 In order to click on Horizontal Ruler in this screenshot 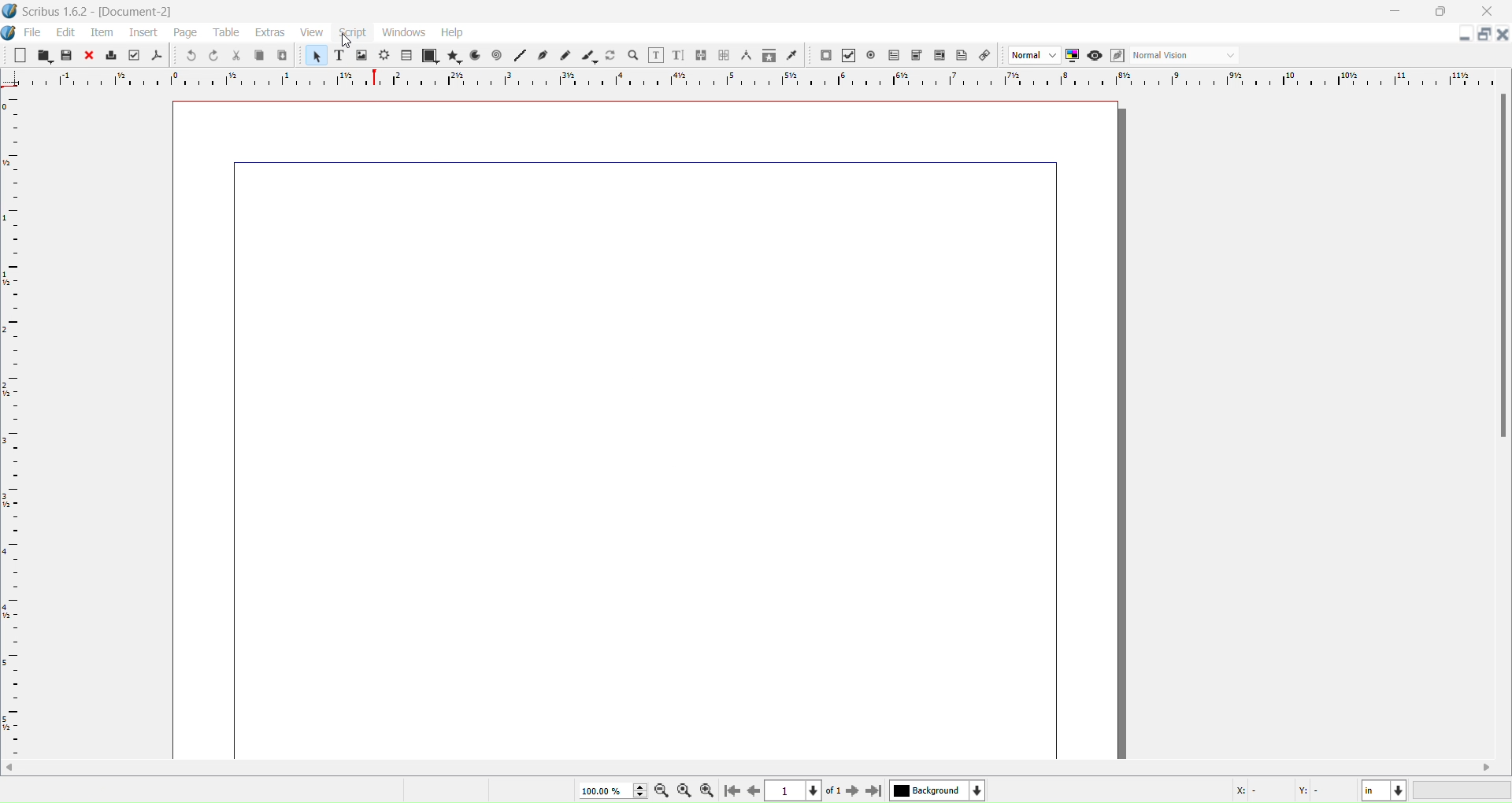, I will do `click(762, 77)`.